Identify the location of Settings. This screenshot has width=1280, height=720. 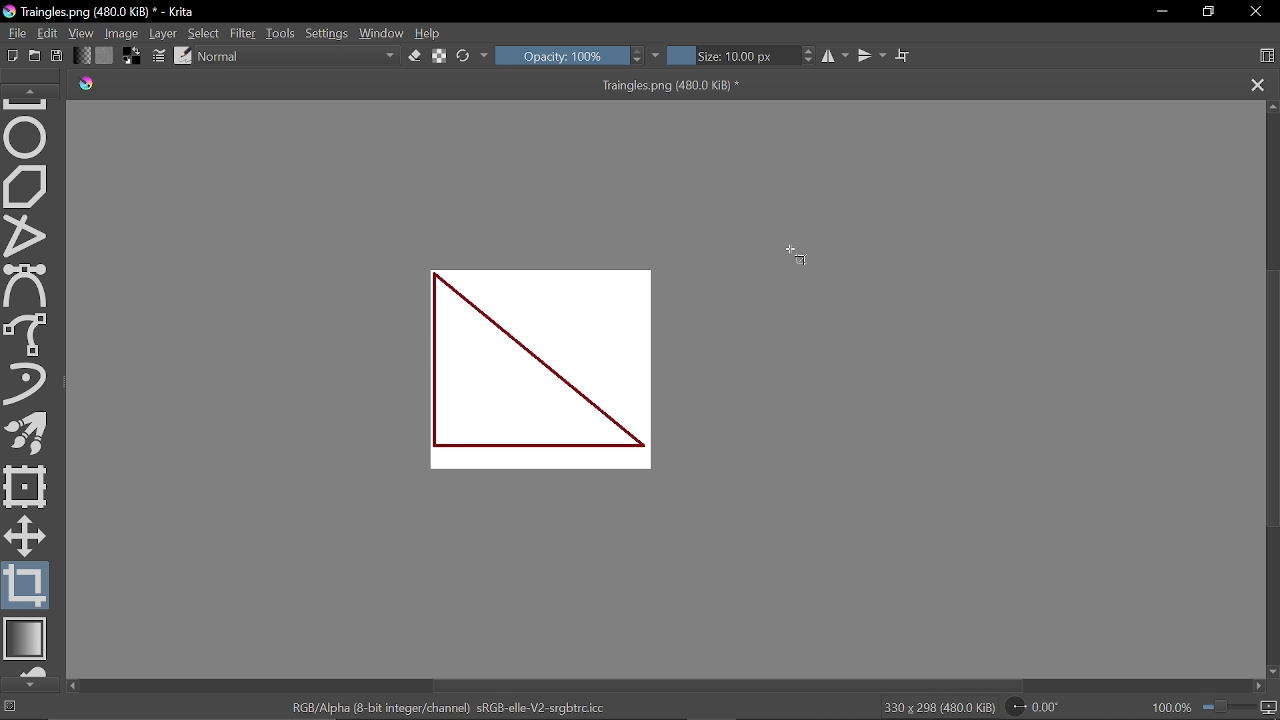
(327, 34).